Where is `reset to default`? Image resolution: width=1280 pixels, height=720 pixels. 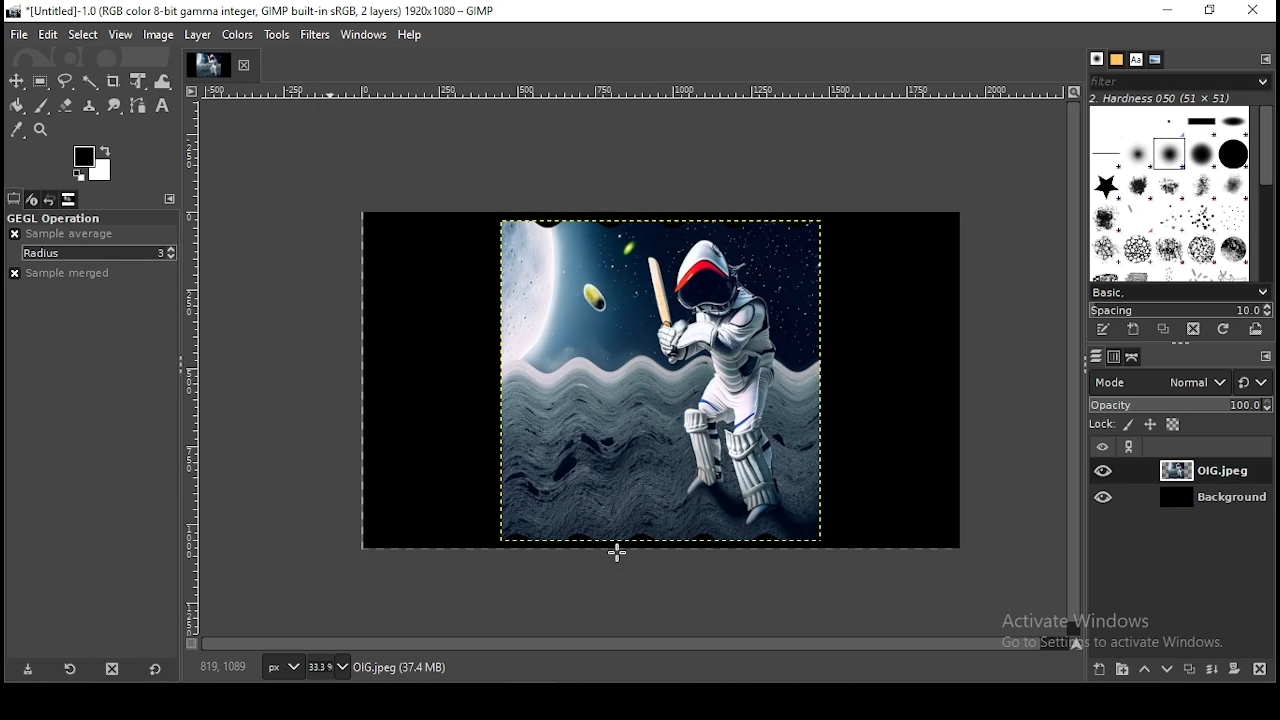 reset to default is located at coordinates (154, 670).